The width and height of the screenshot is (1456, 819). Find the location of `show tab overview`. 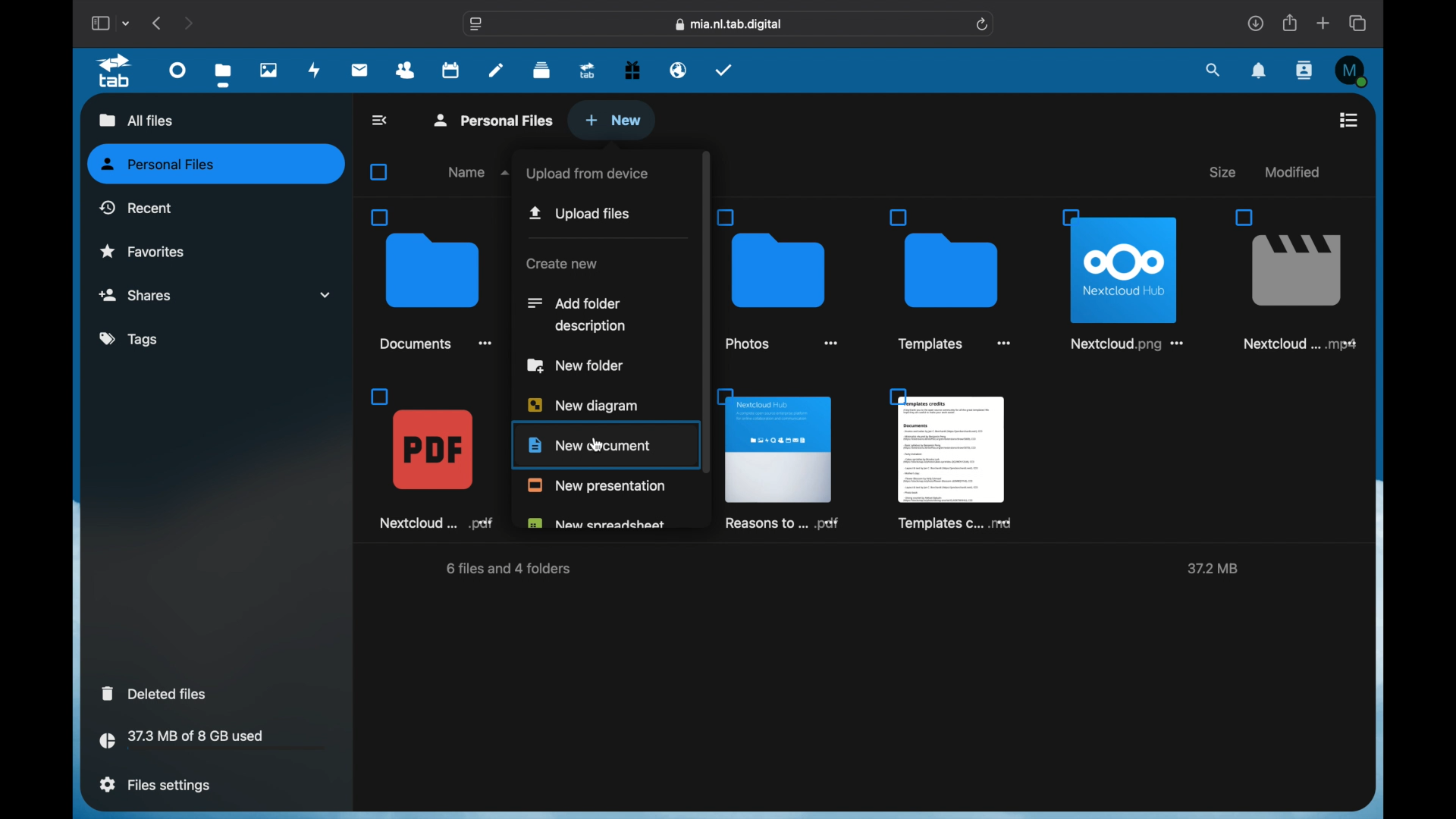

show tab overview is located at coordinates (1359, 23).